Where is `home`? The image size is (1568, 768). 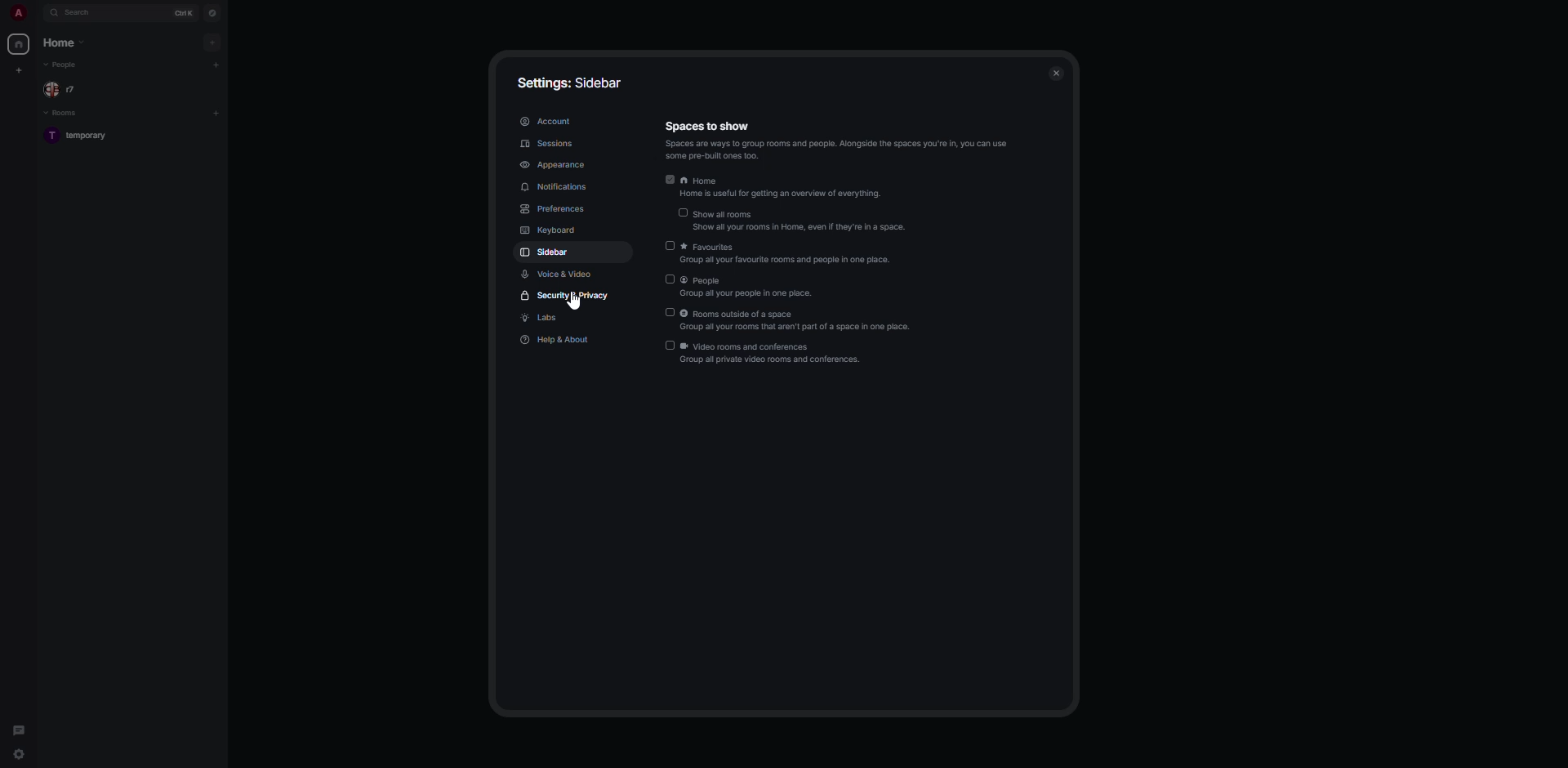 home is located at coordinates (65, 42).